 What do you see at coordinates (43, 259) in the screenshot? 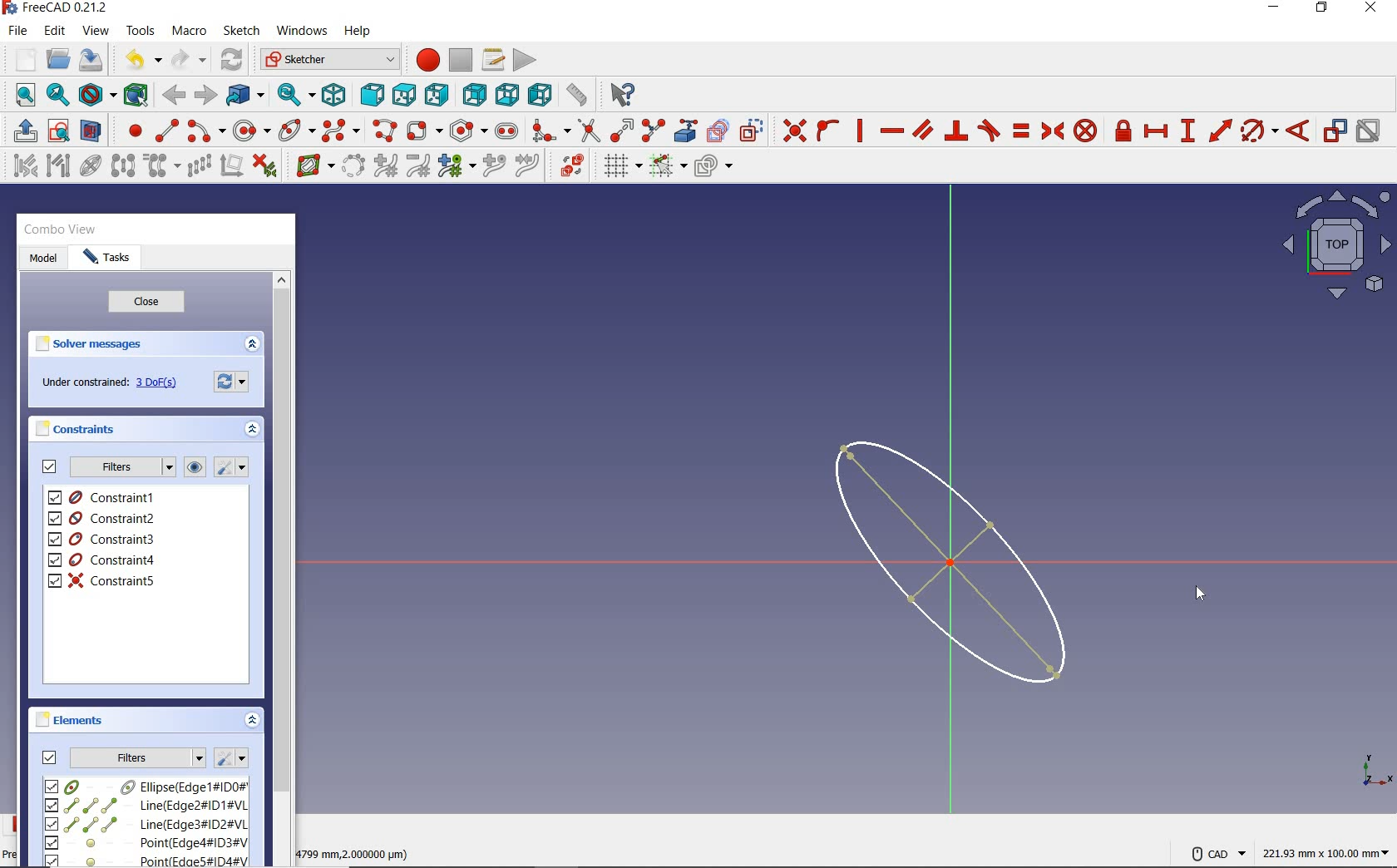
I see `model` at bounding box center [43, 259].